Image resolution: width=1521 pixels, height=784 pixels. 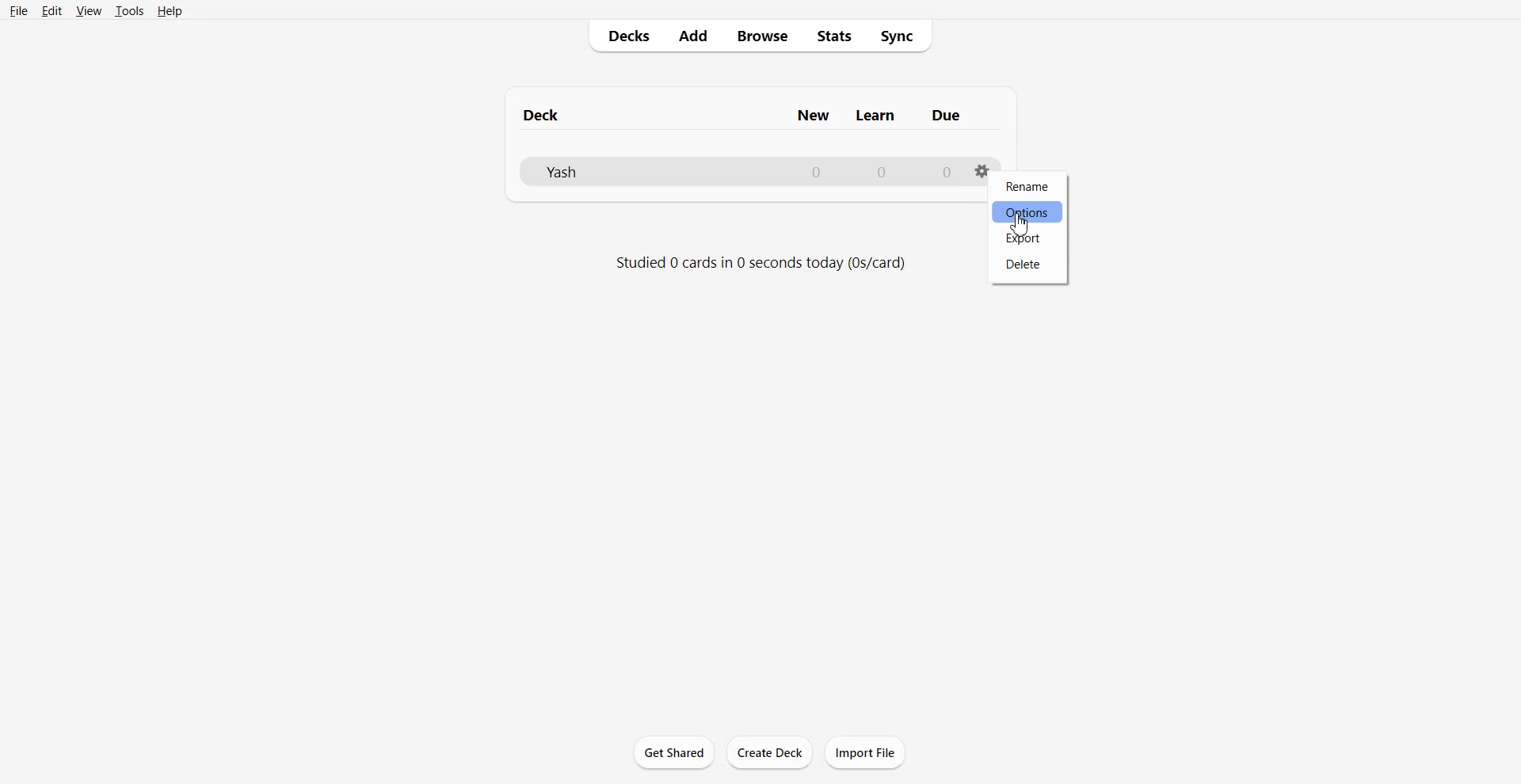 I want to click on Help, so click(x=168, y=11).